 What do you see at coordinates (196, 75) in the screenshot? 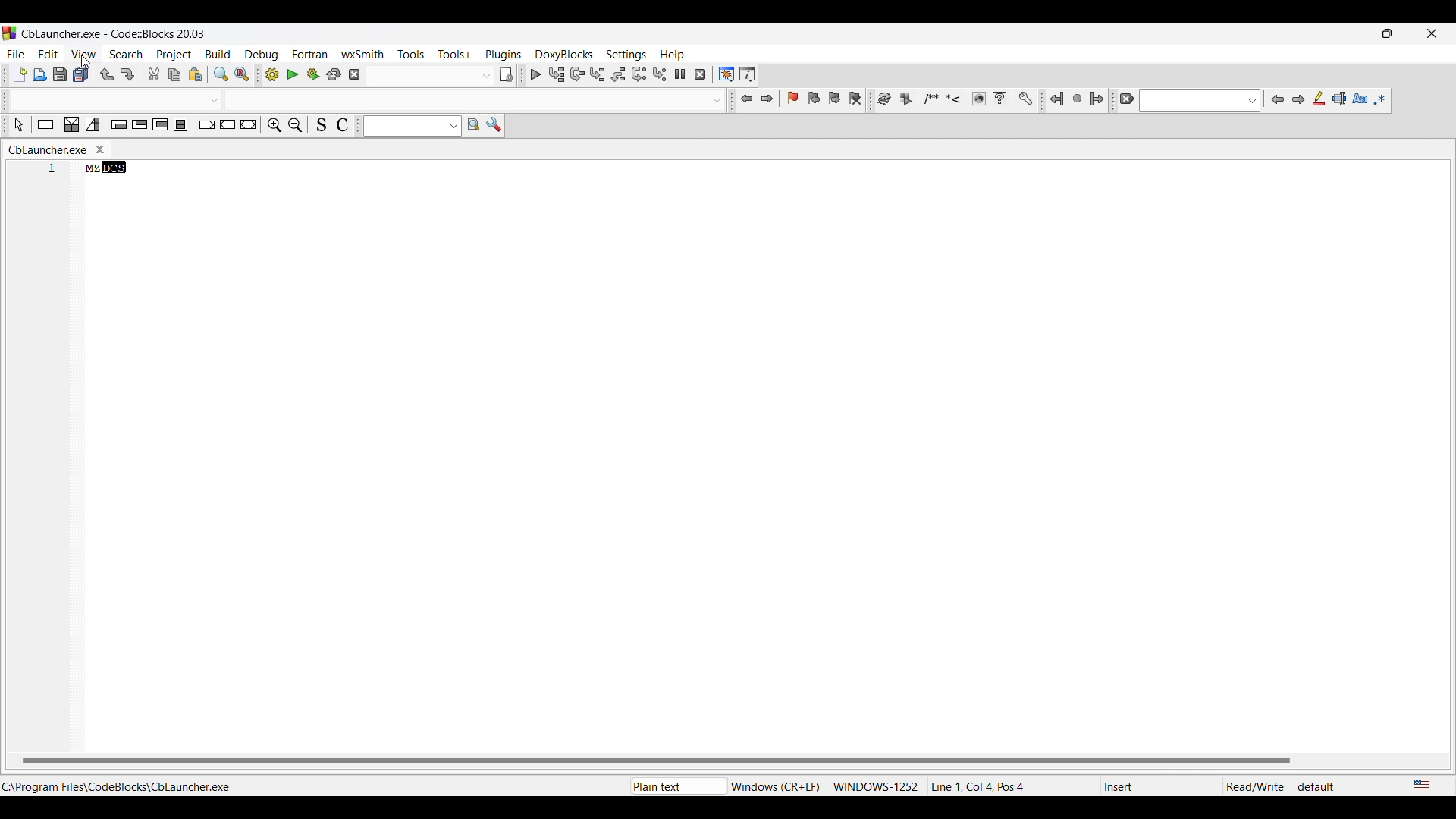
I see `Paste` at bounding box center [196, 75].